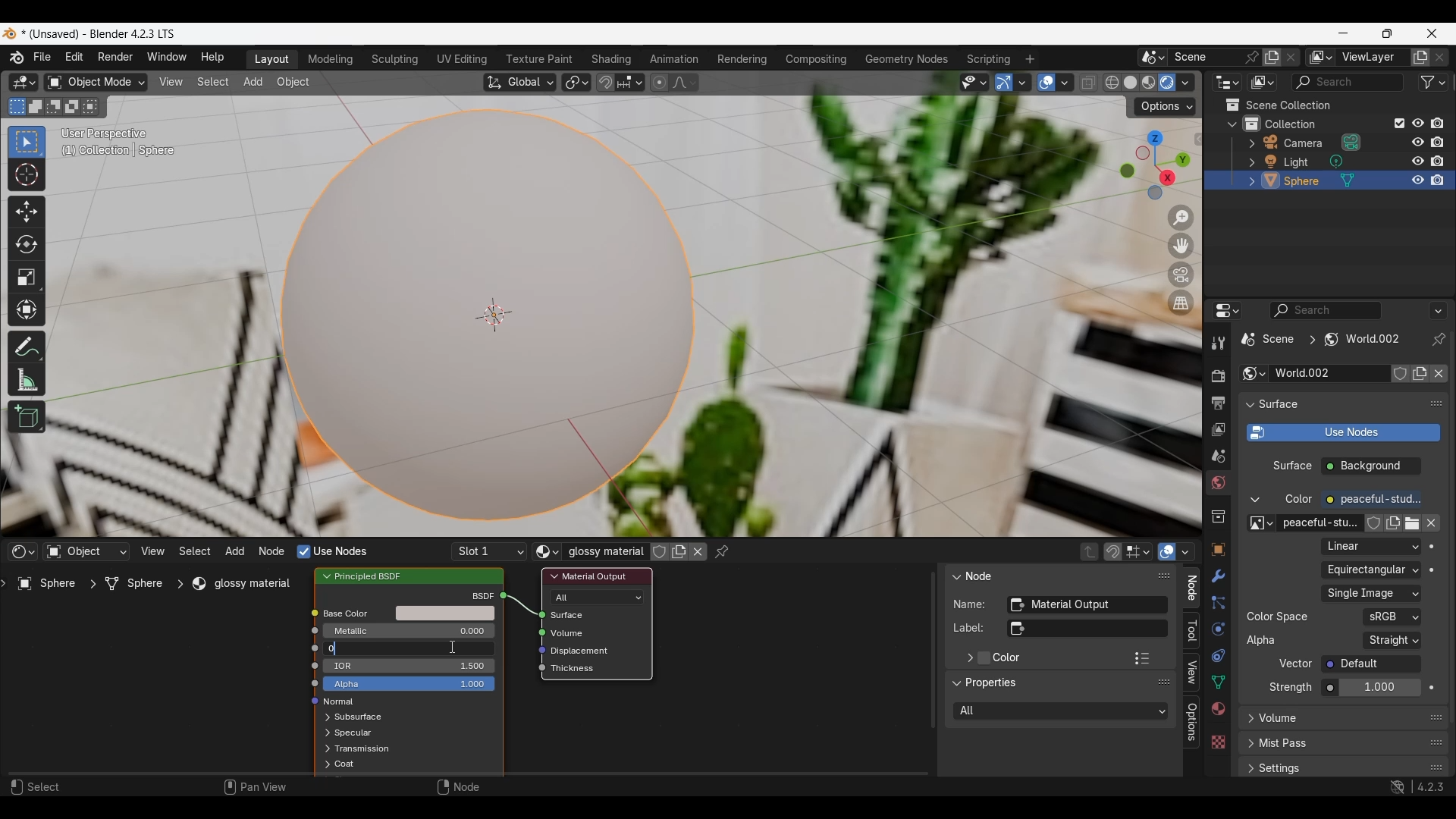  I want to click on disable all respective renders, so click(1442, 161).